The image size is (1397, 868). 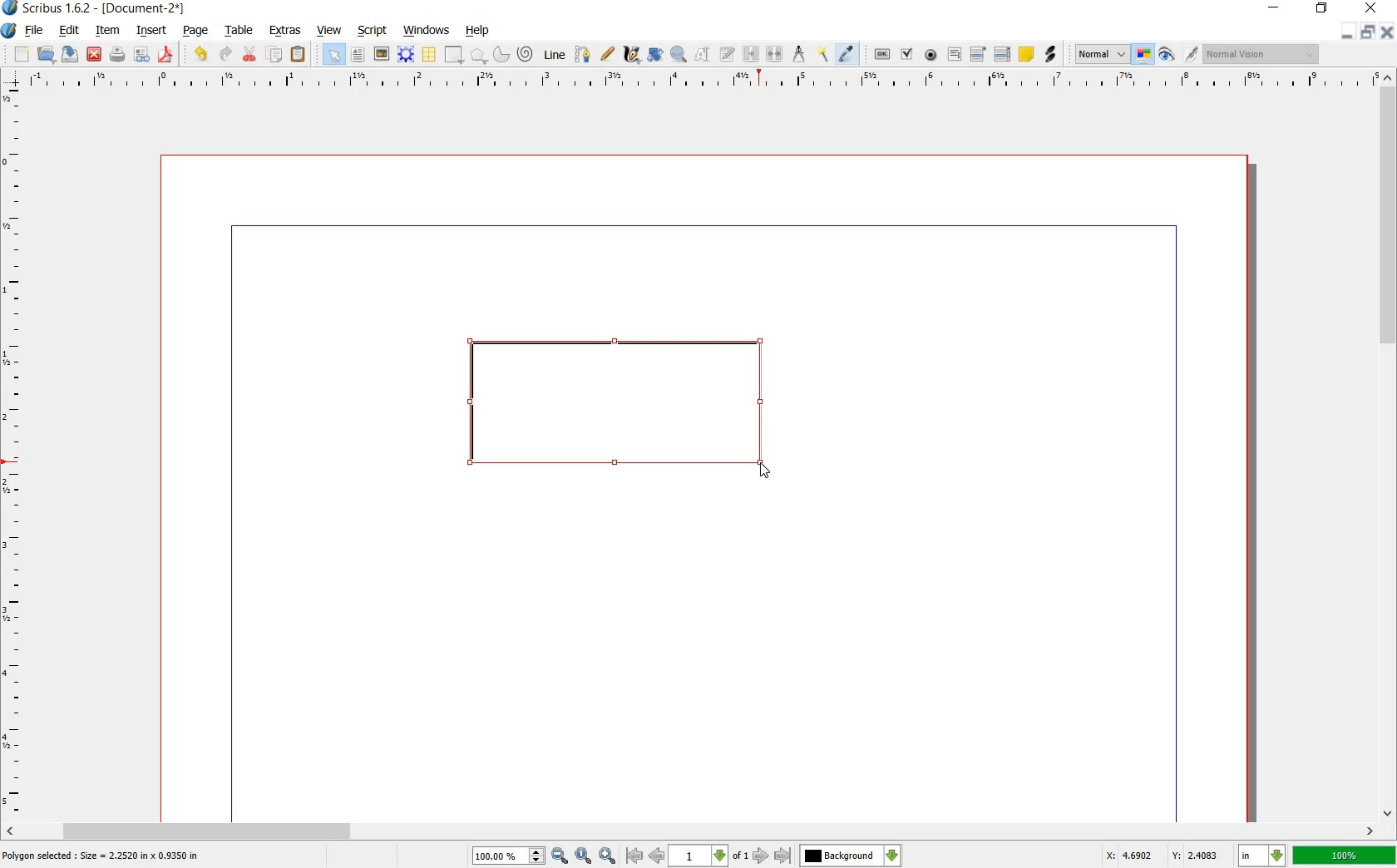 What do you see at coordinates (1098, 54) in the screenshot?
I see `SELECT THE IMAGE PREVIEW QUALITY` at bounding box center [1098, 54].